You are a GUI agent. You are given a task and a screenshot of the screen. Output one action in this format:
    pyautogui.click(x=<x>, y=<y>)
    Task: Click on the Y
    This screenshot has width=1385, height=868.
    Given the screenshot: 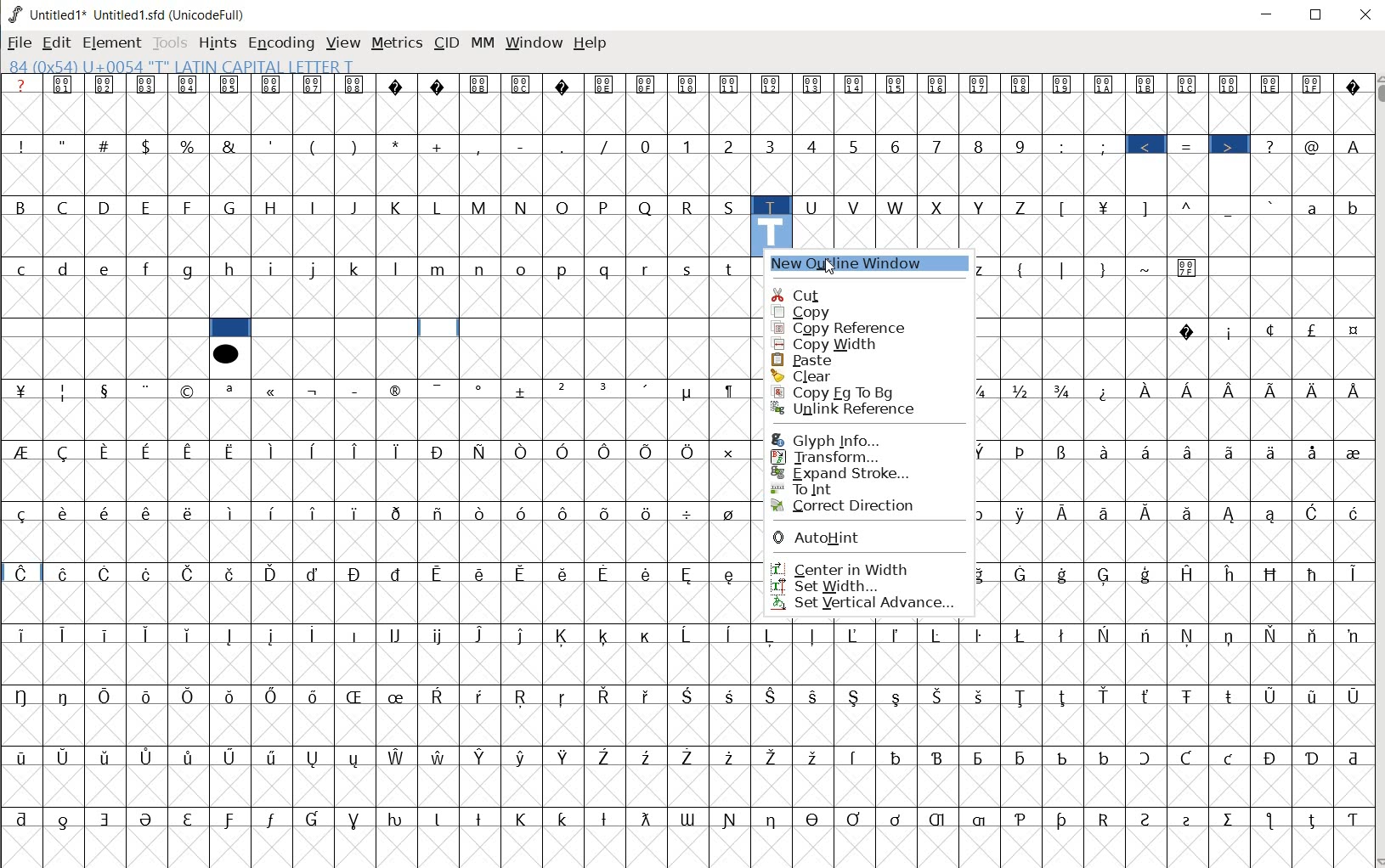 What is the action you would take?
    pyautogui.click(x=982, y=206)
    